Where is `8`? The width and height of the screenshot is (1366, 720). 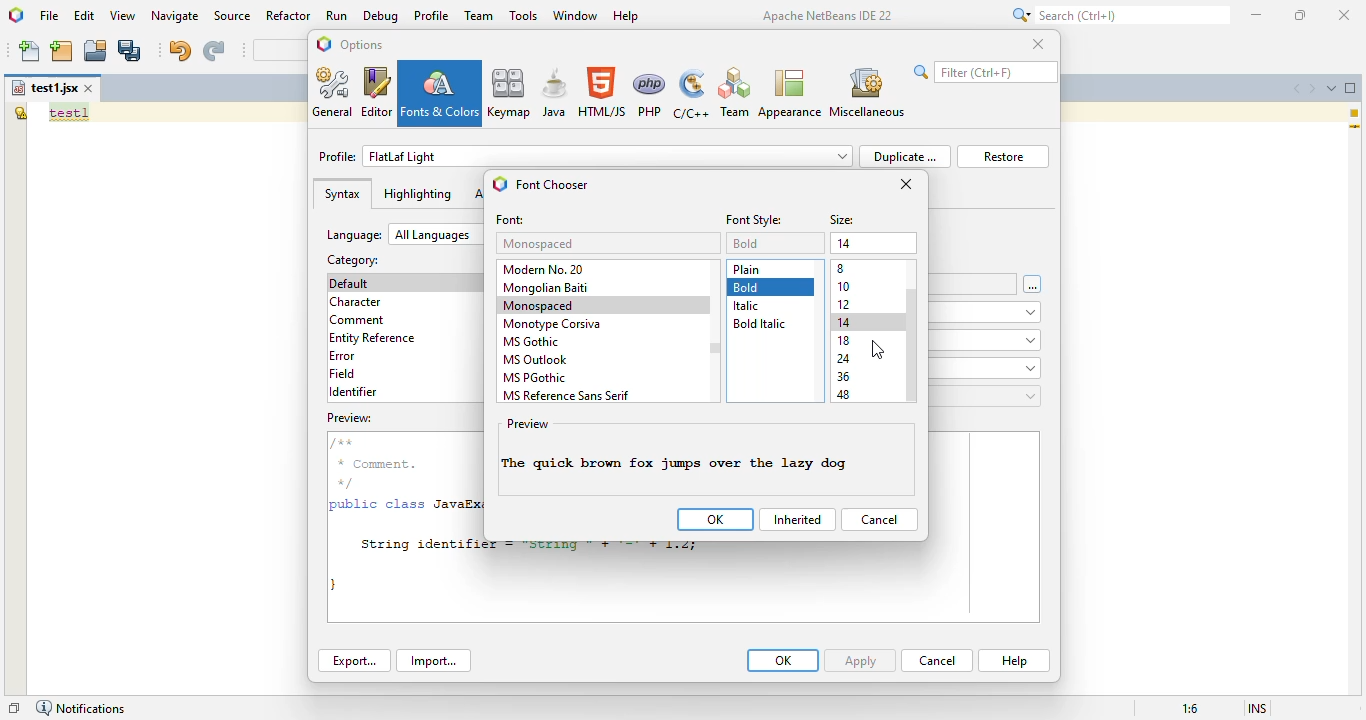
8 is located at coordinates (843, 268).